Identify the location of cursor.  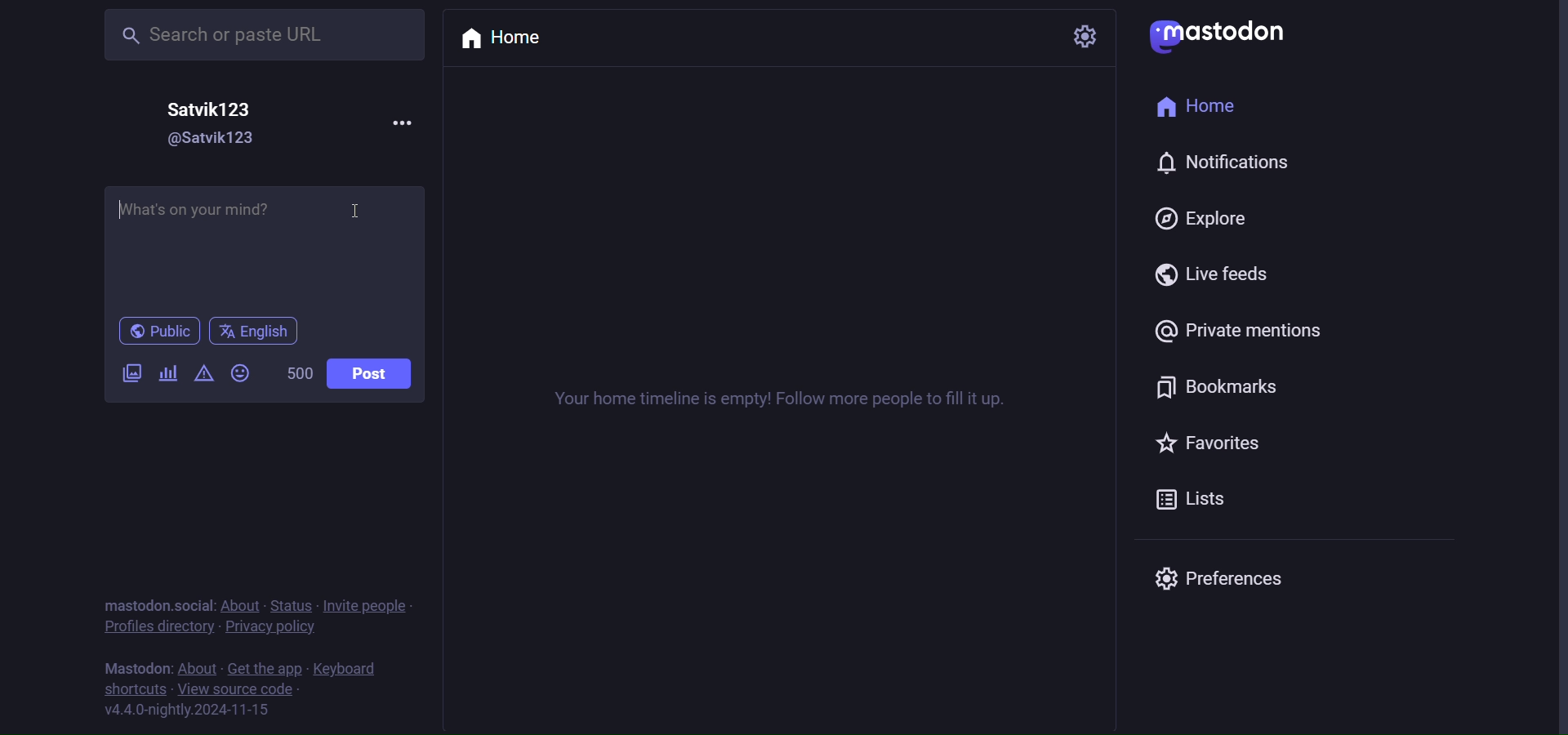
(354, 214).